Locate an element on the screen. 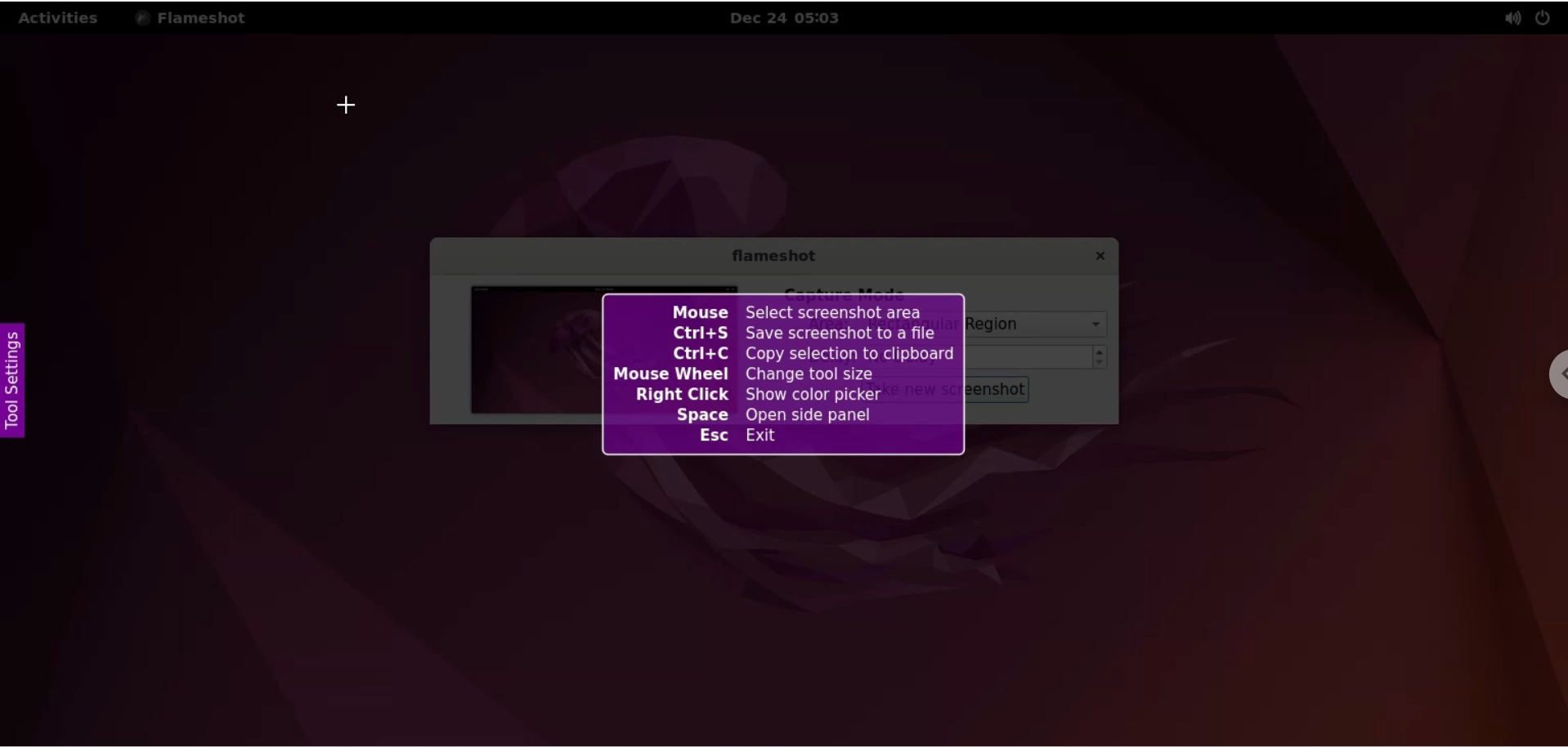 The image size is (1568, 747). Mouse Select screenshot area Ctri+S Save screenshot to a file Ctrl+C Copy selection to clipboard Mouse Wheel Change tool size Right Click Show color picker Space Open side panel Esc Exit is located at coordinates (785, 375).